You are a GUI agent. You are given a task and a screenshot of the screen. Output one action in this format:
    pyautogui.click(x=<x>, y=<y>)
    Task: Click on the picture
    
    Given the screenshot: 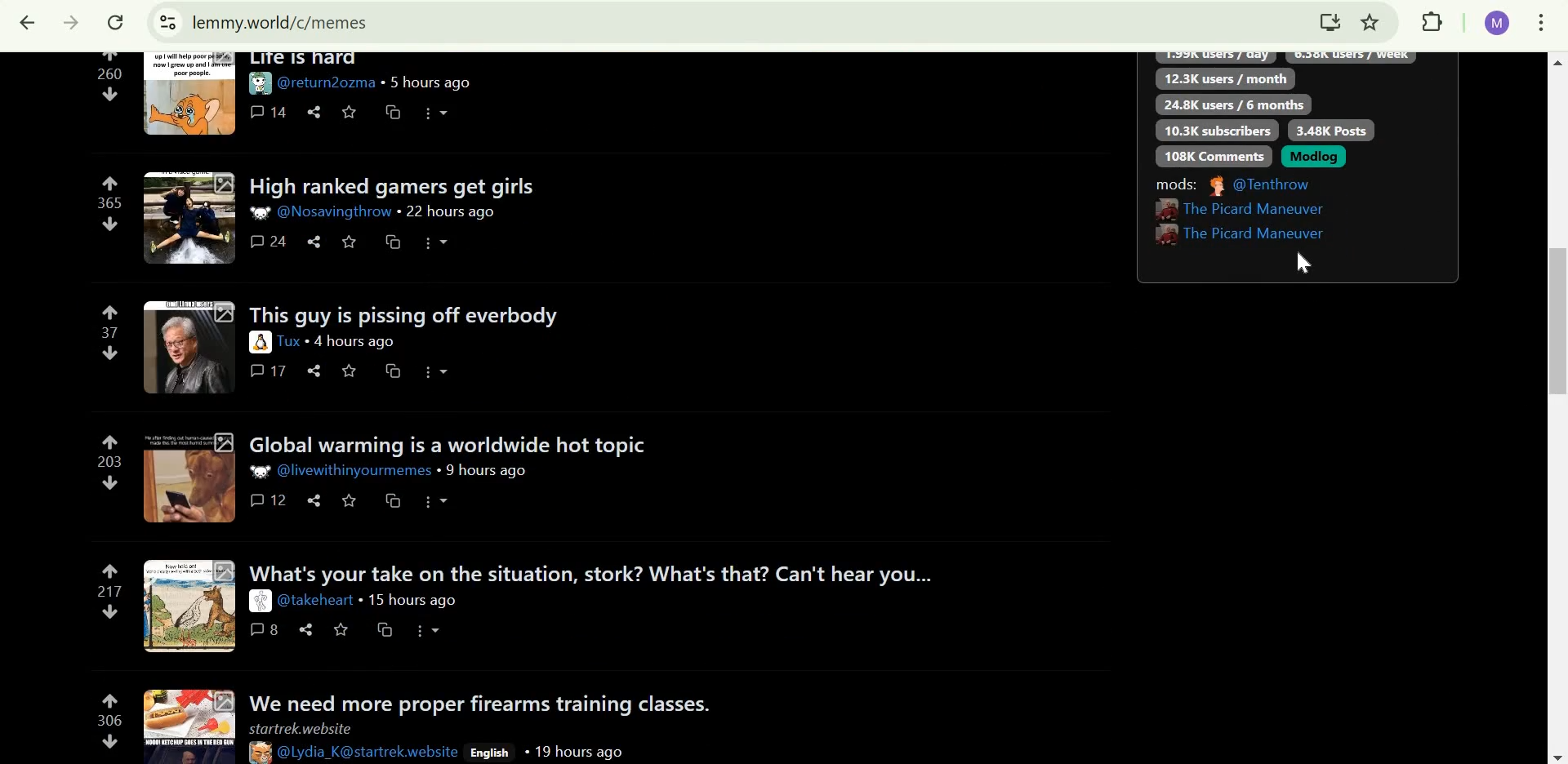 What is the action you would take?
    pyautogui.click(x=260, y=83)
    